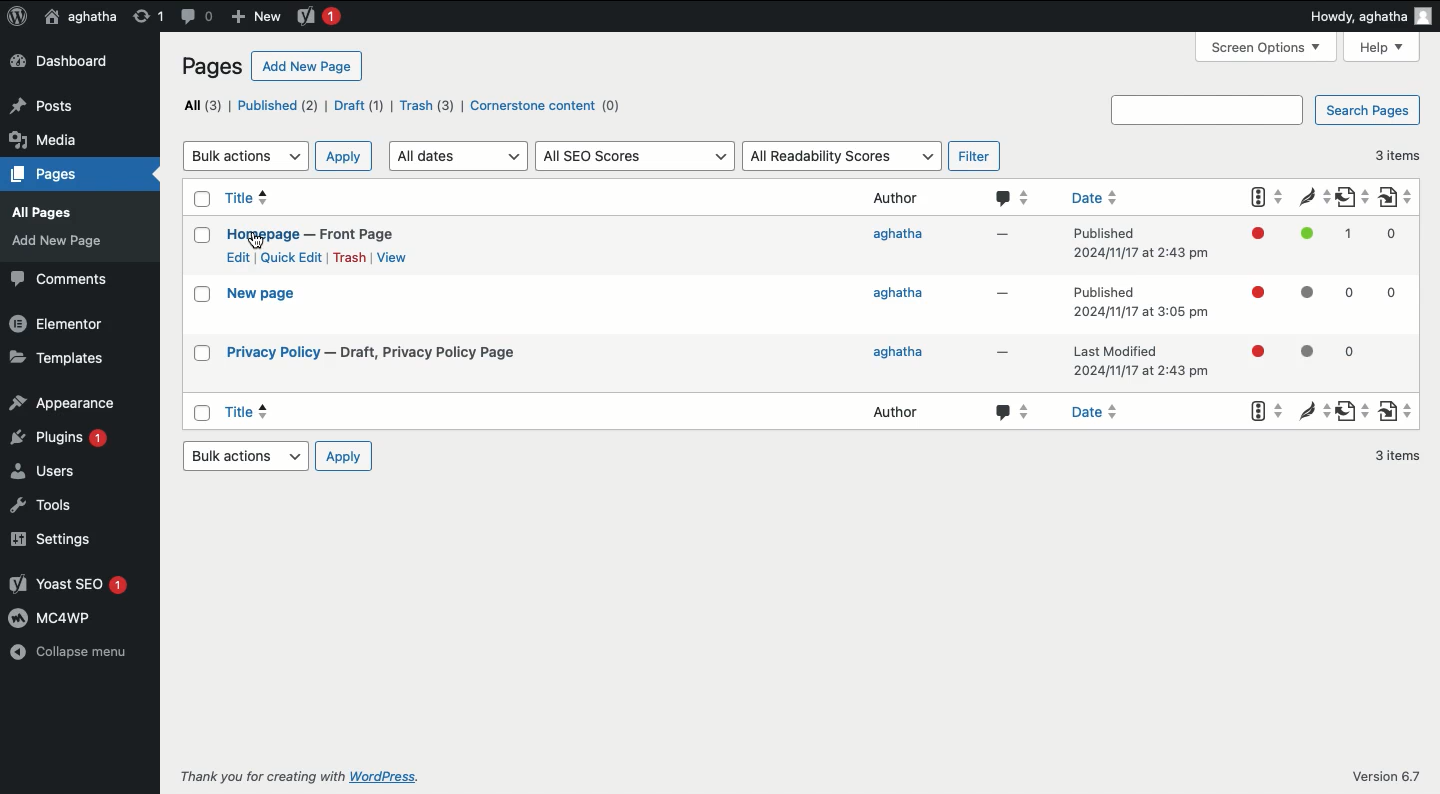  Describe the element at coordinates (898, 307) in the screenshot. I see `Author details` at that location.